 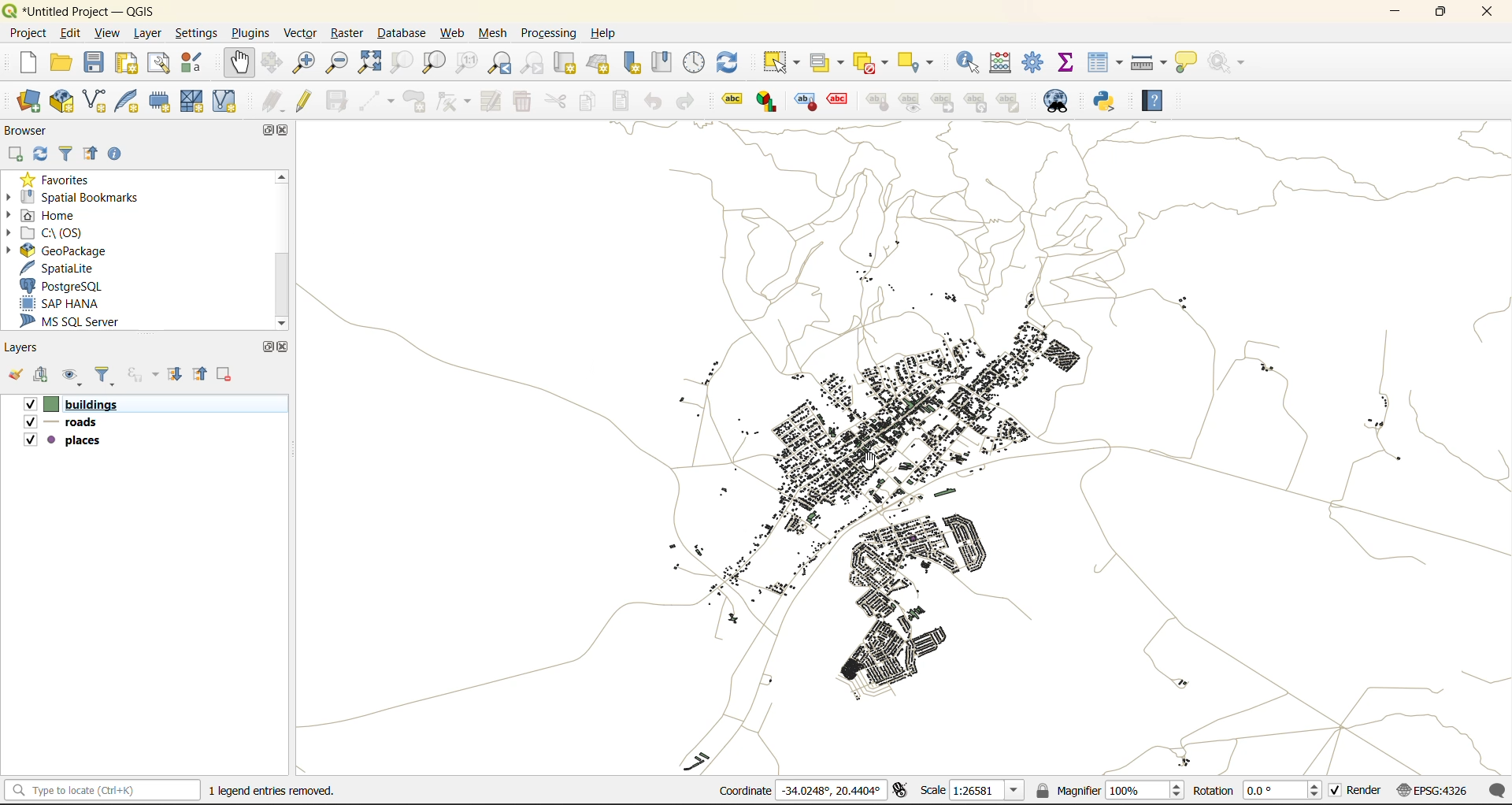 I want to click on web, so click(x=454, y=32).